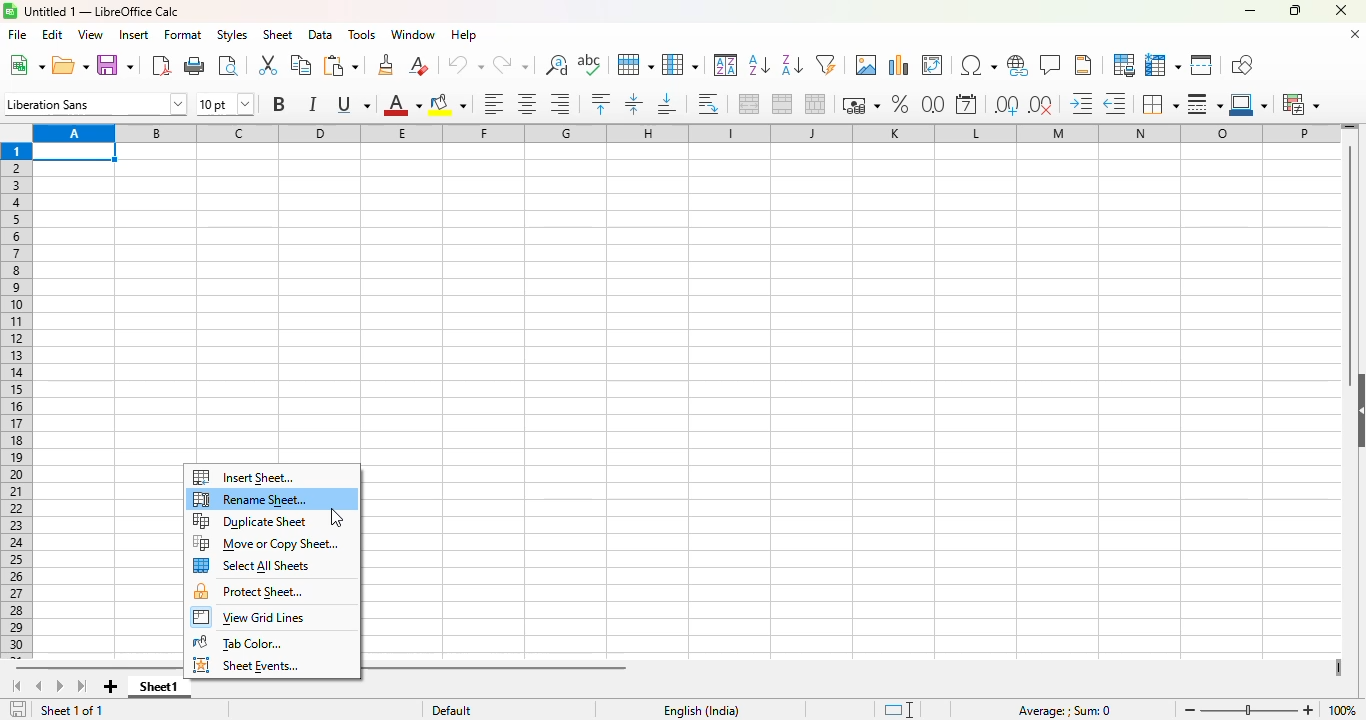  Describe the element at coordinates (700, 710) in the screenshot. I see `English (India)` at that location.